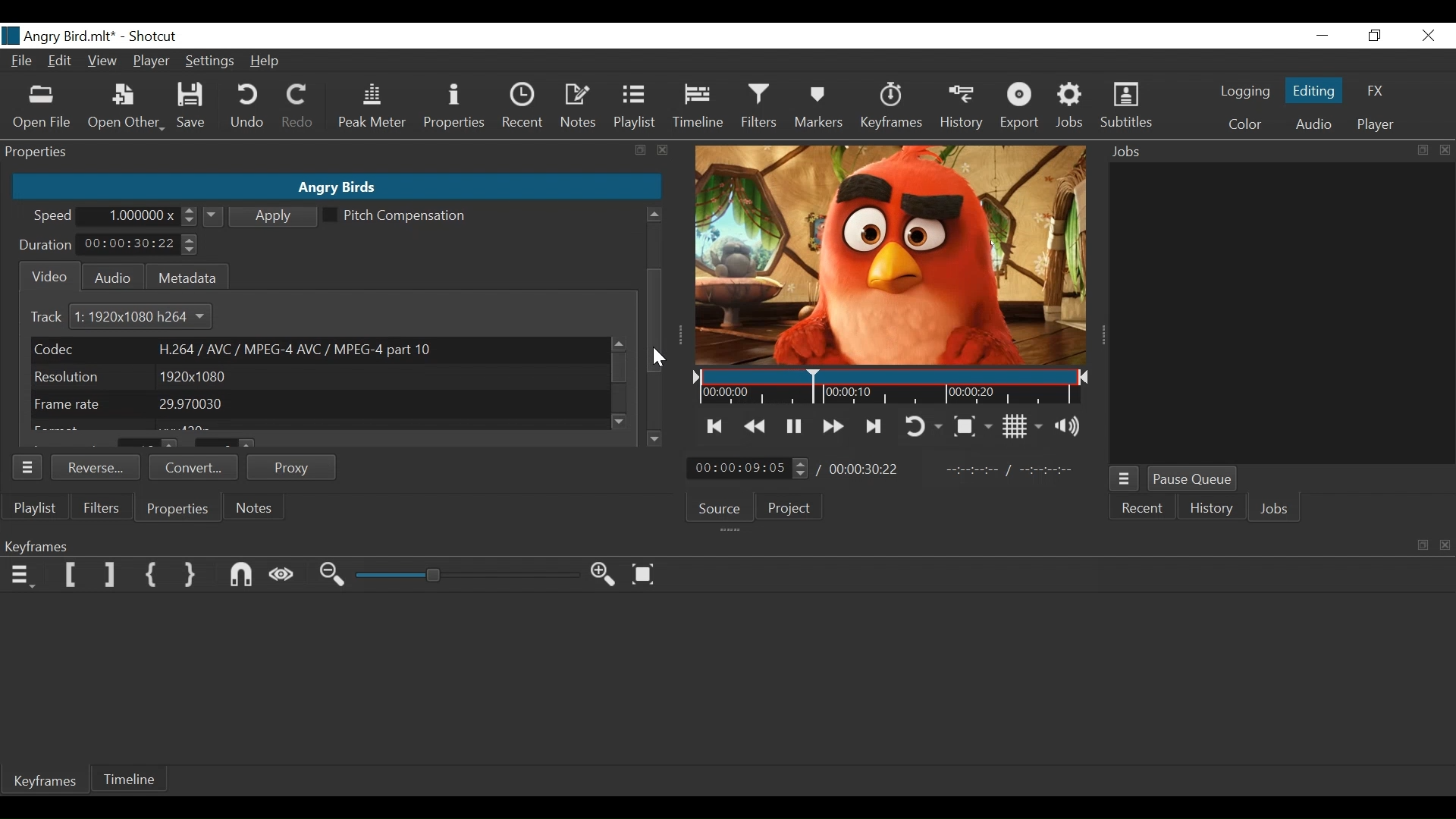 This screenshot has width=1456, height=819. What do you see at coordinates (866, 469) in the screenshot?
I see `Total Duration` at bounding box center [866, 469].